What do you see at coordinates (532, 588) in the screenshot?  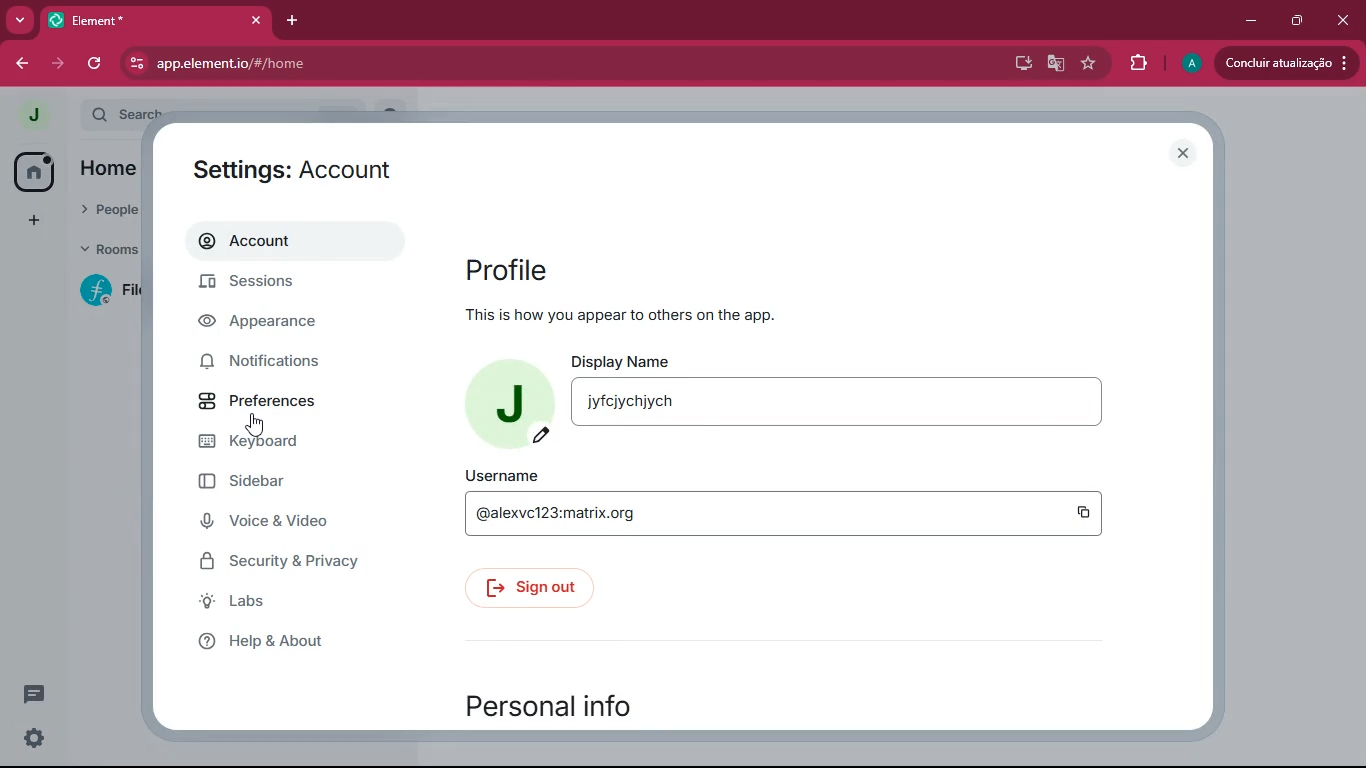 I see `sign out` at bounding box center [532, 588].